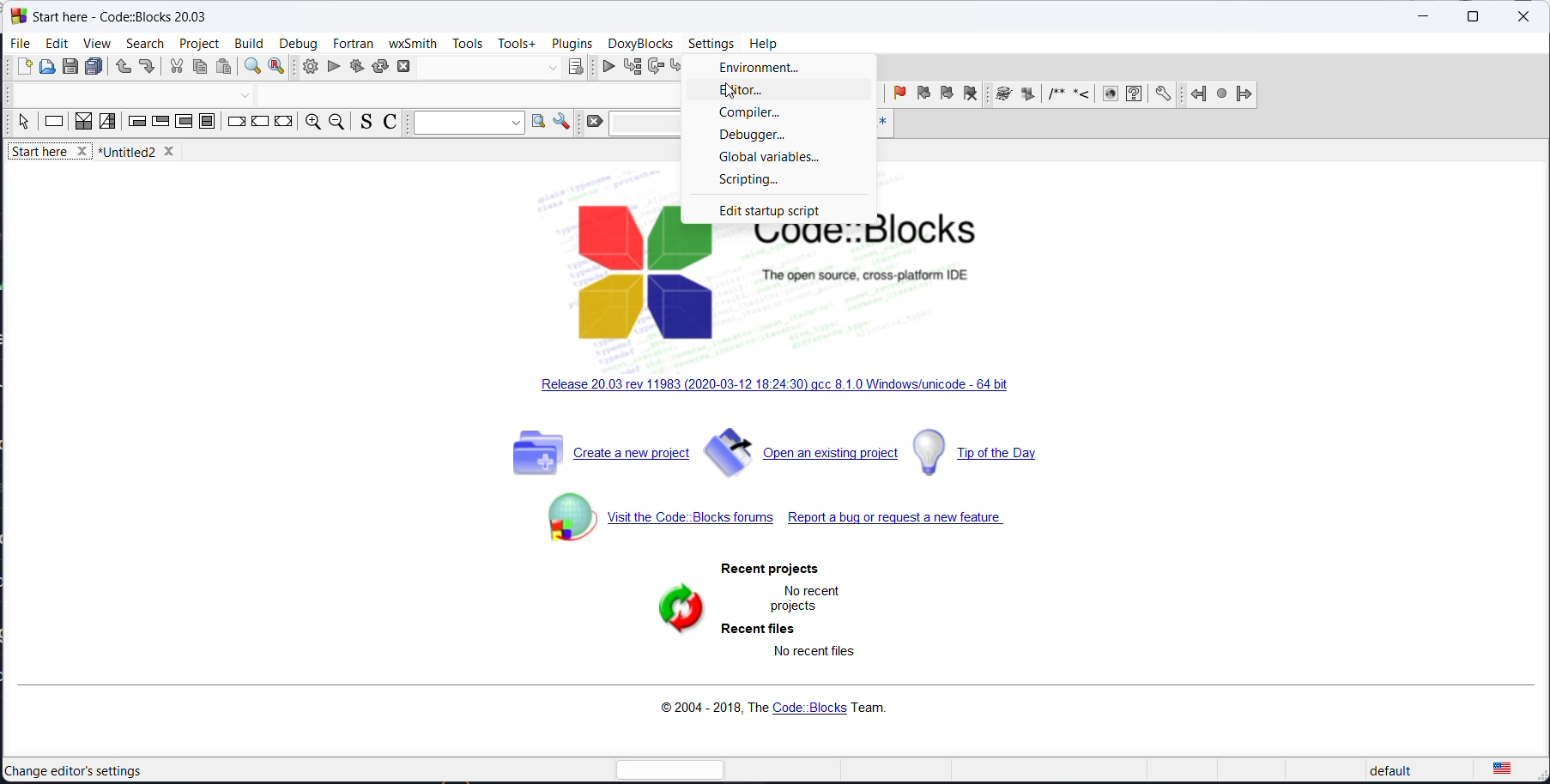 This screenshot has height=784, width=1550. I want to click on next jump, so click(1220, 96).